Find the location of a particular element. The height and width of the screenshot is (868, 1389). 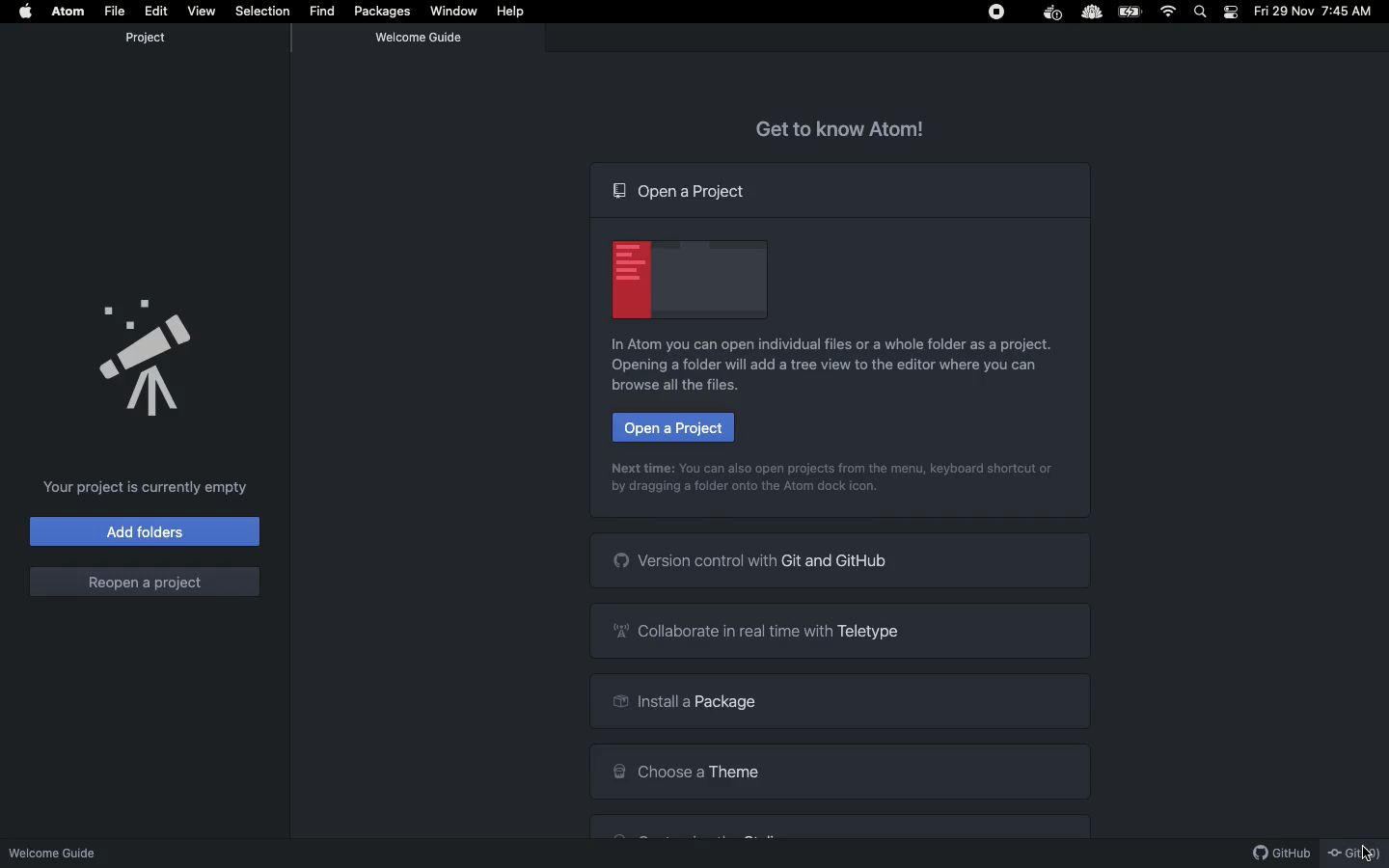

Collaborate in real time with Teletype is located at coordinates (841, 631).